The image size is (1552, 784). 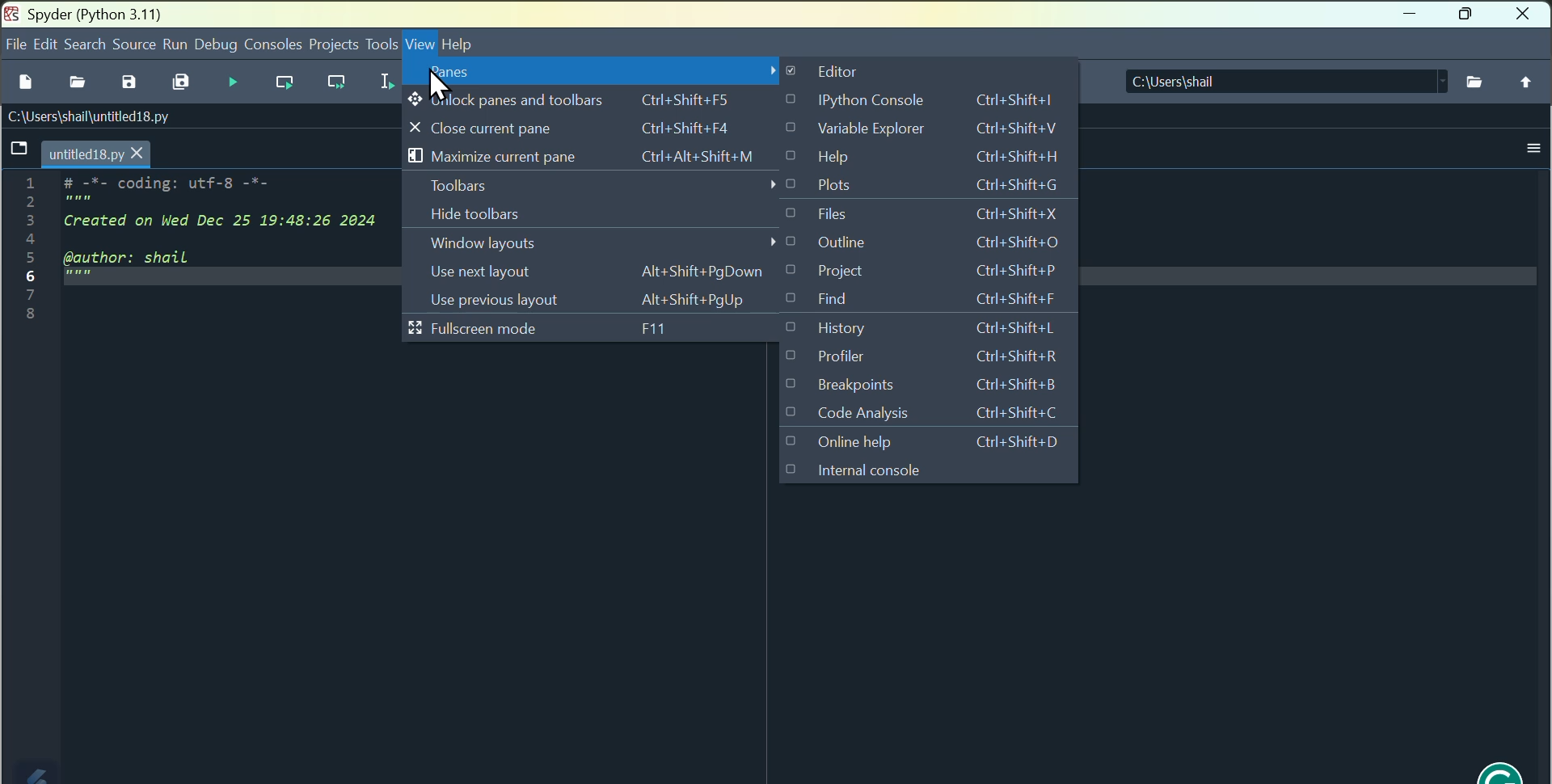 I want to click on Variable explorer, so click(x=945, y=131).